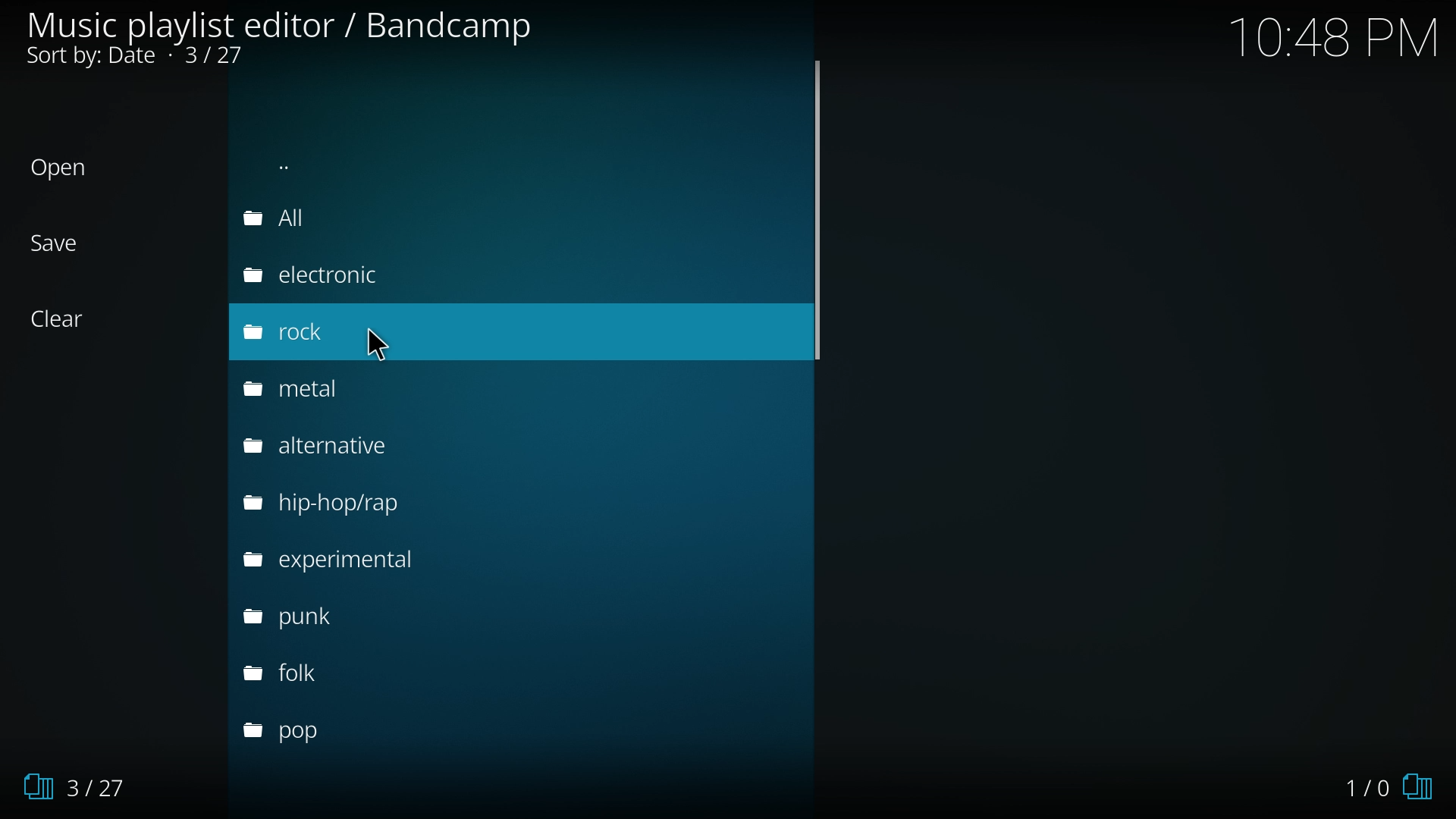  What do you see at coordinates (318, 393) in the screenshot?
I see `metal` at bounding box center [318, 393].